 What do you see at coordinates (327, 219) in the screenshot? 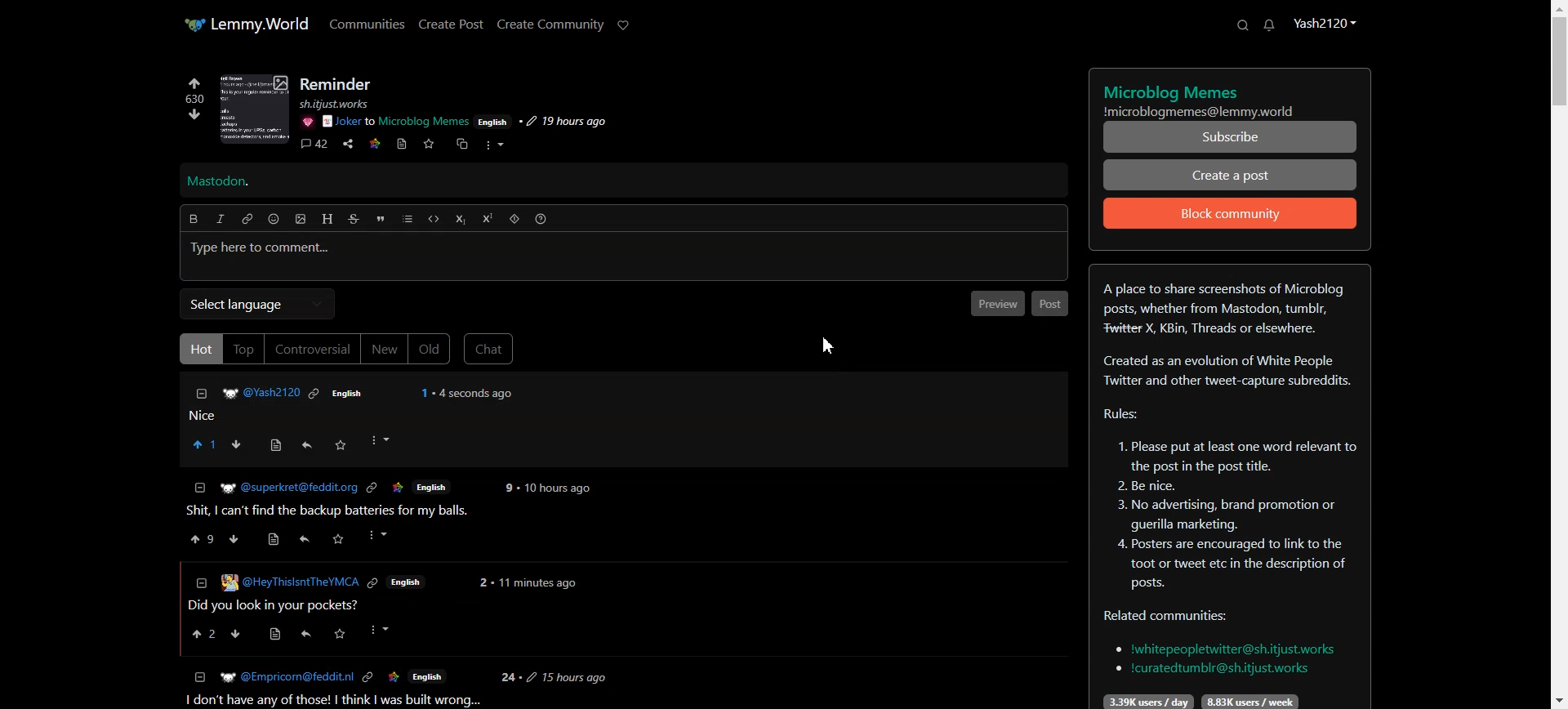
I see `Header` at bounding box center [327, 219].